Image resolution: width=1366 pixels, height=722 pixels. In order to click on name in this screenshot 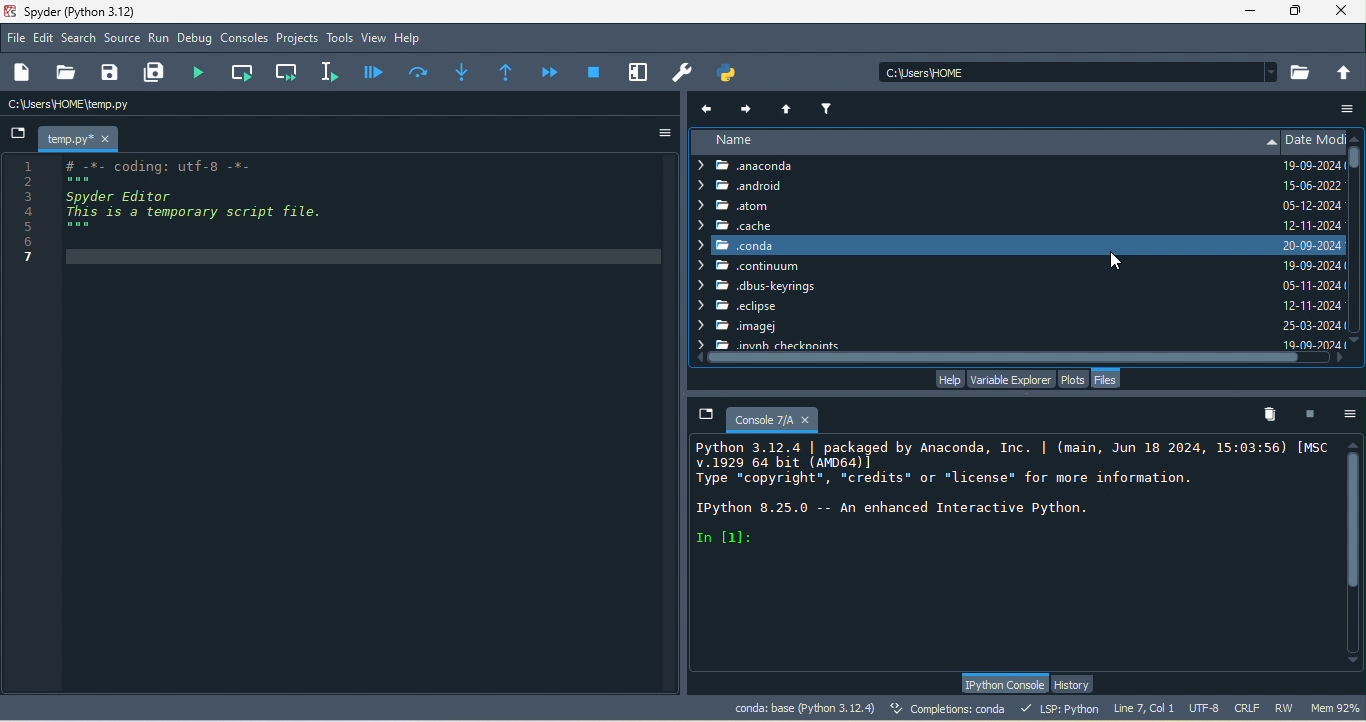, I will do `click(984, 142)`.